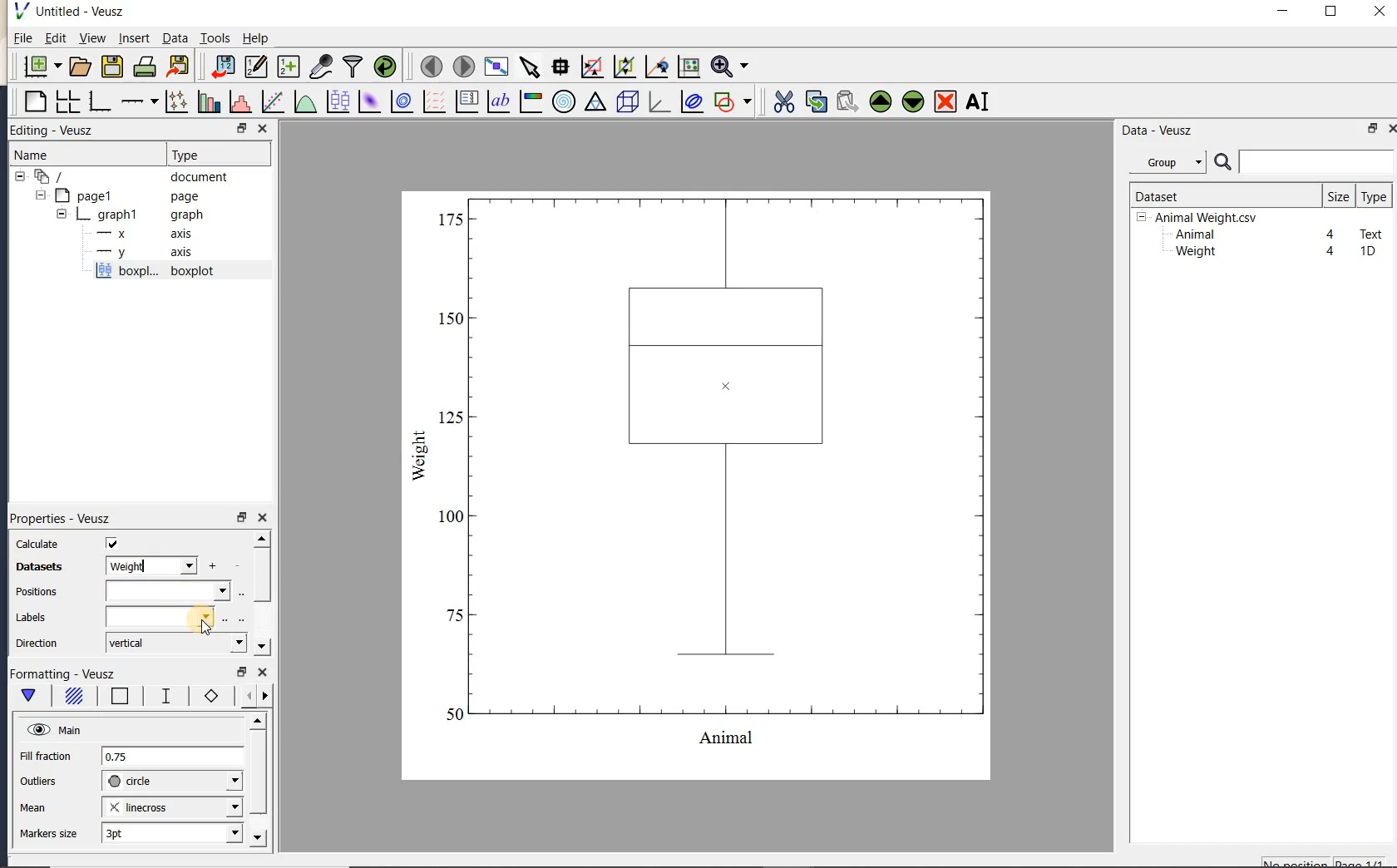 The width and height of the screenshot is (1397, 868). I want to click on read data points on the graph, so click(560, 67).